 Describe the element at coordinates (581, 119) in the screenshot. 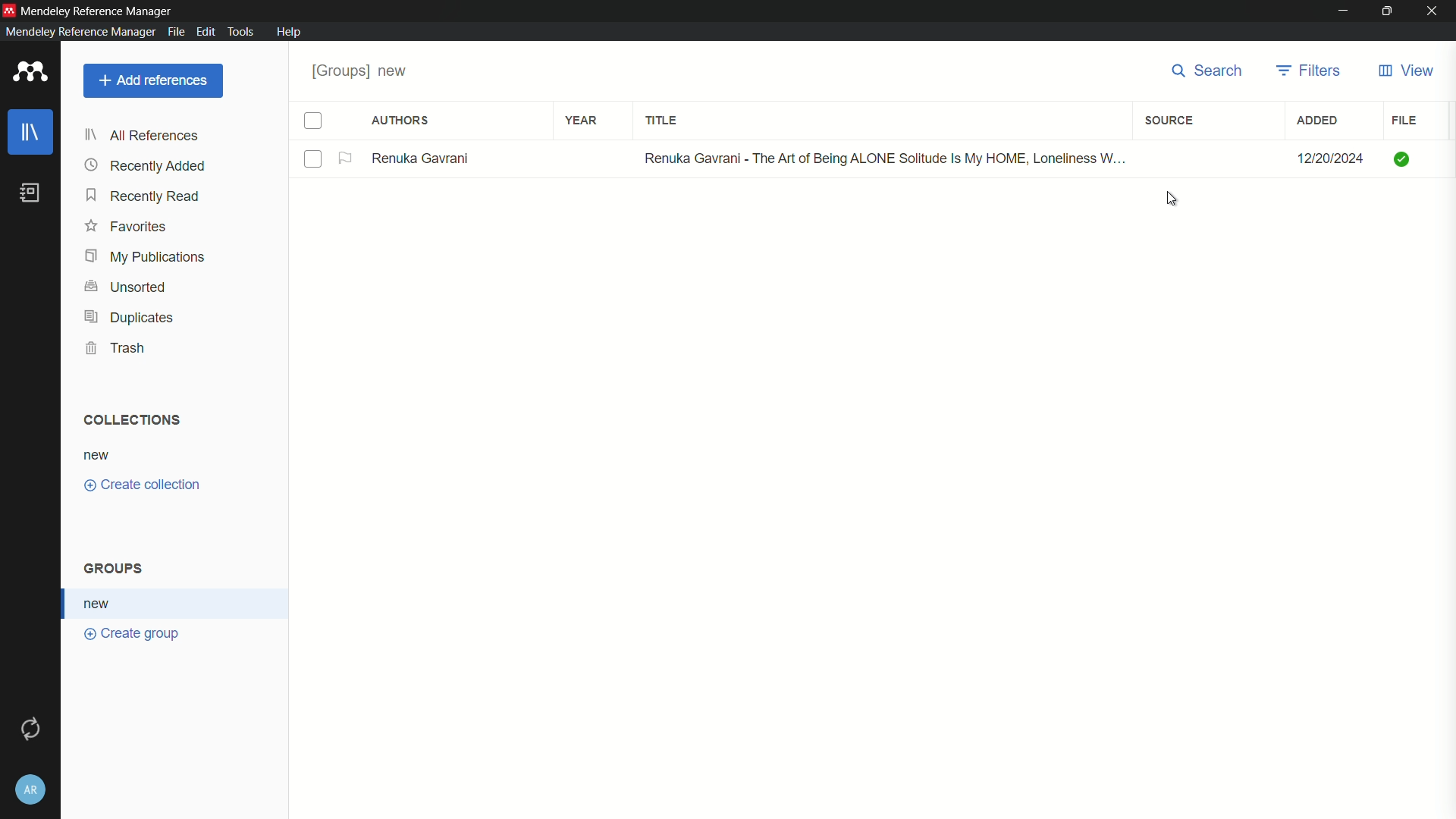

I see `year` at that location.